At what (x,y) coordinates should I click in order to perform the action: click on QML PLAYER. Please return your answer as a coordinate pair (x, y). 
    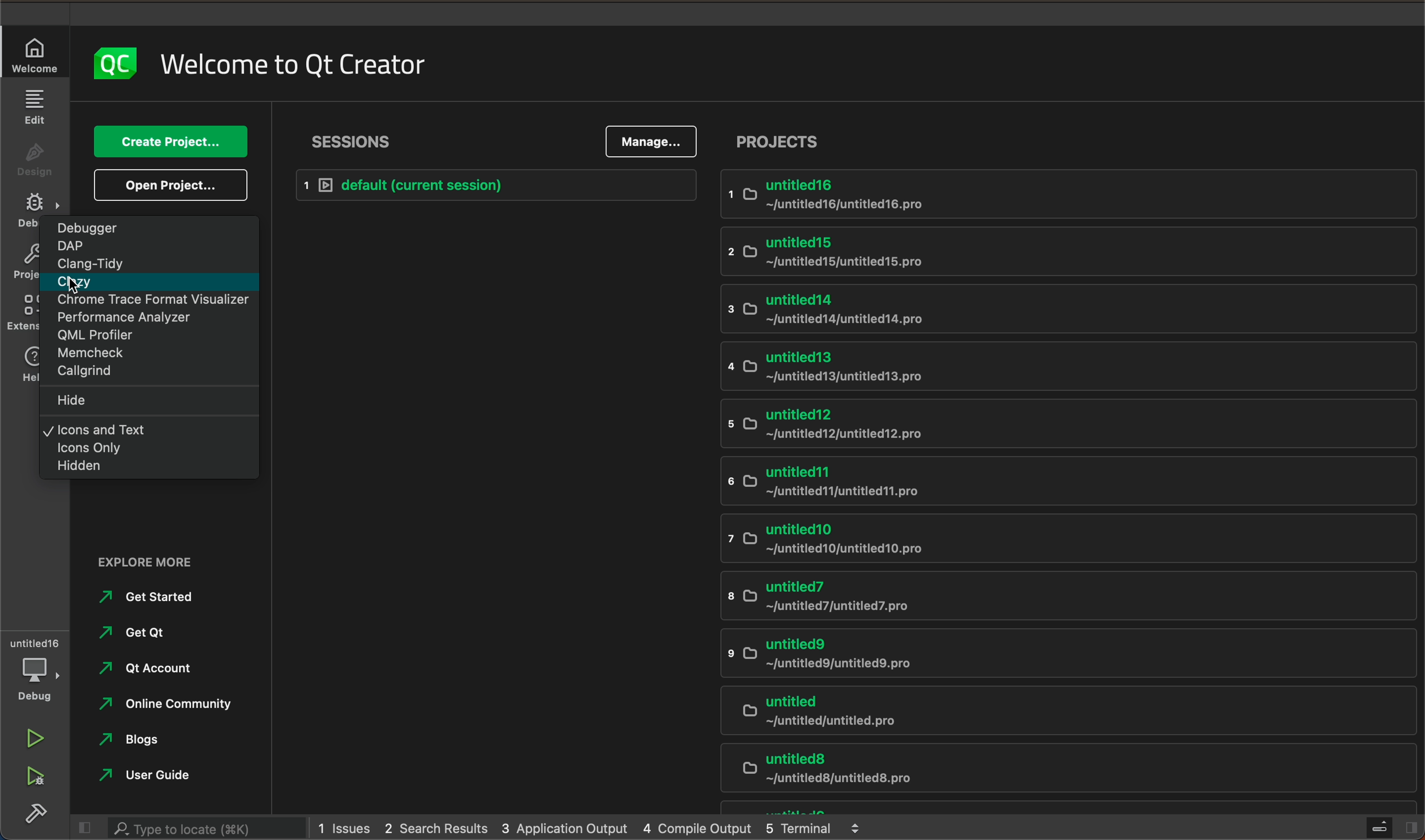
    Looking at the image, I should click on (151, 336).